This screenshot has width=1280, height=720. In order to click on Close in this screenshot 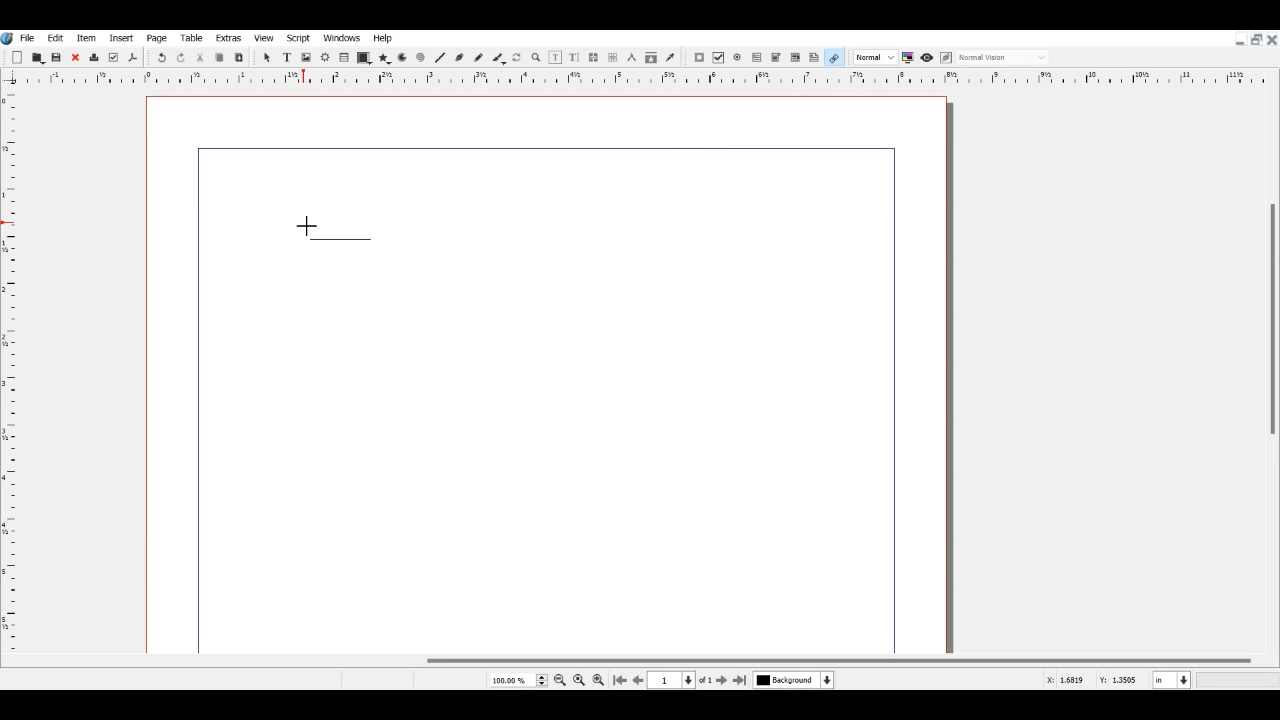, I will do `click(75, 58)`.